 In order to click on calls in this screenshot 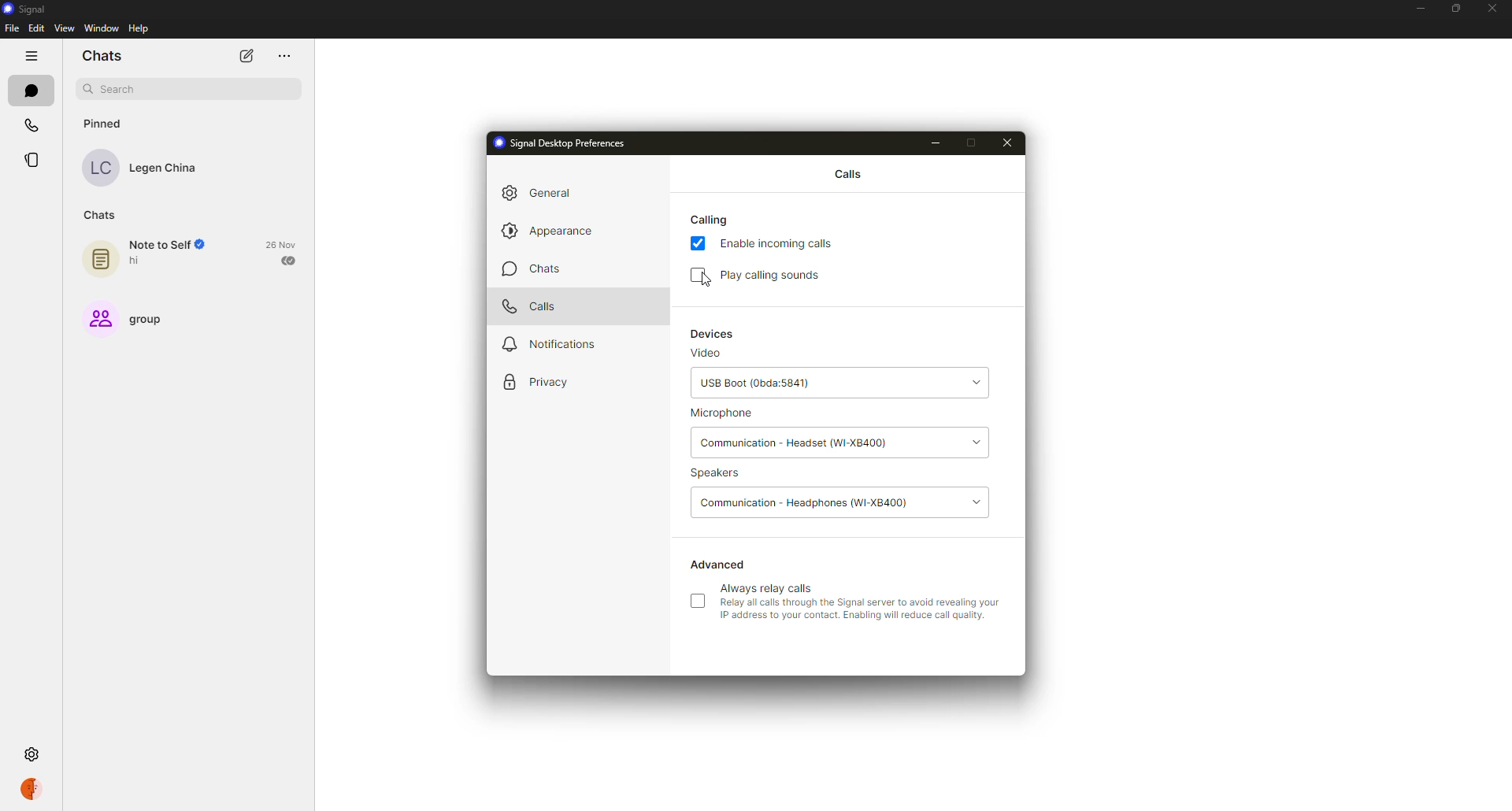, I will do `click(33, 124)`.